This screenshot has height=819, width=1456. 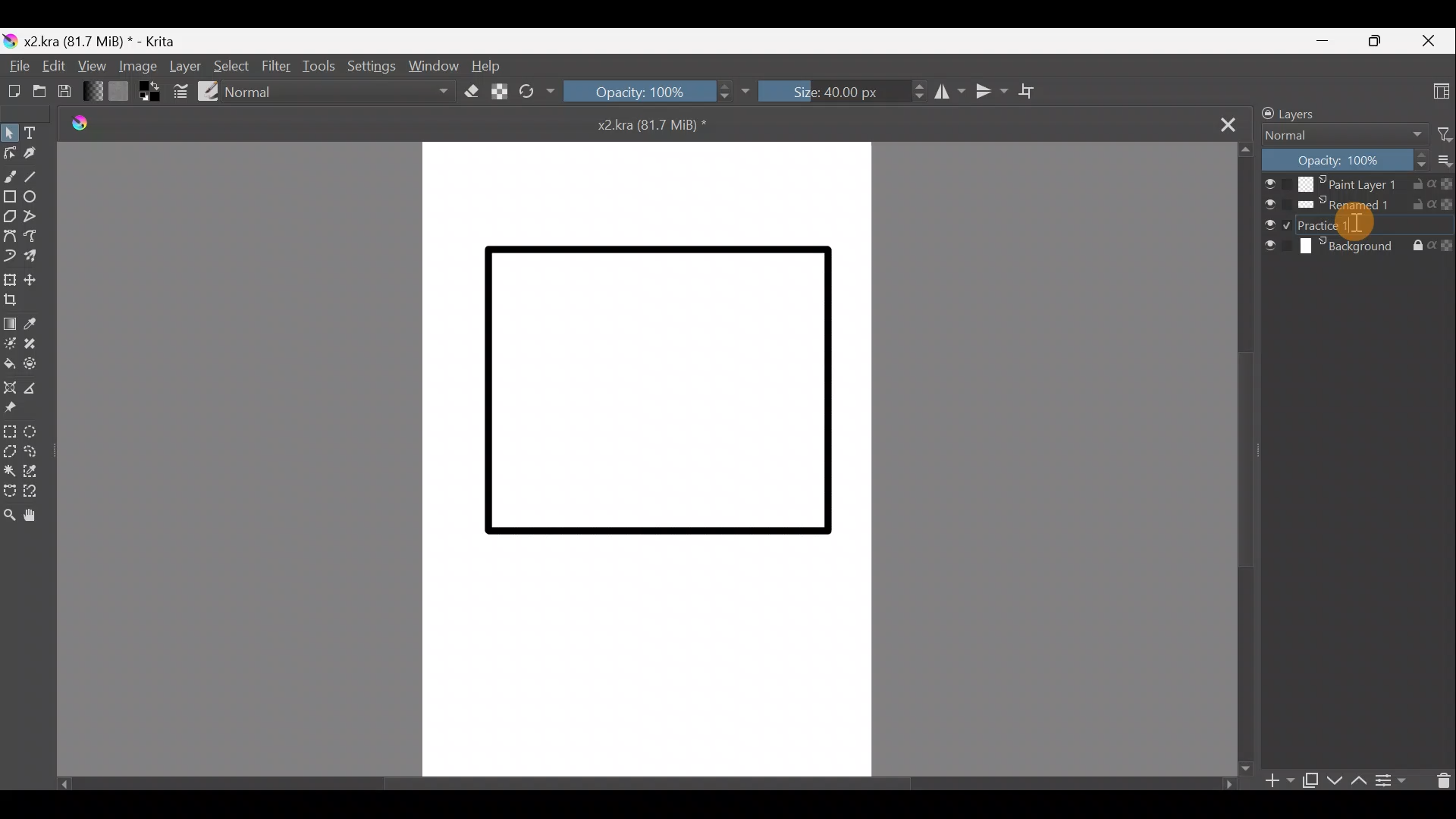 What do you see at coordinates (231, 68) in the screenshot?
I see `Select` at bounding box center [231, 68].